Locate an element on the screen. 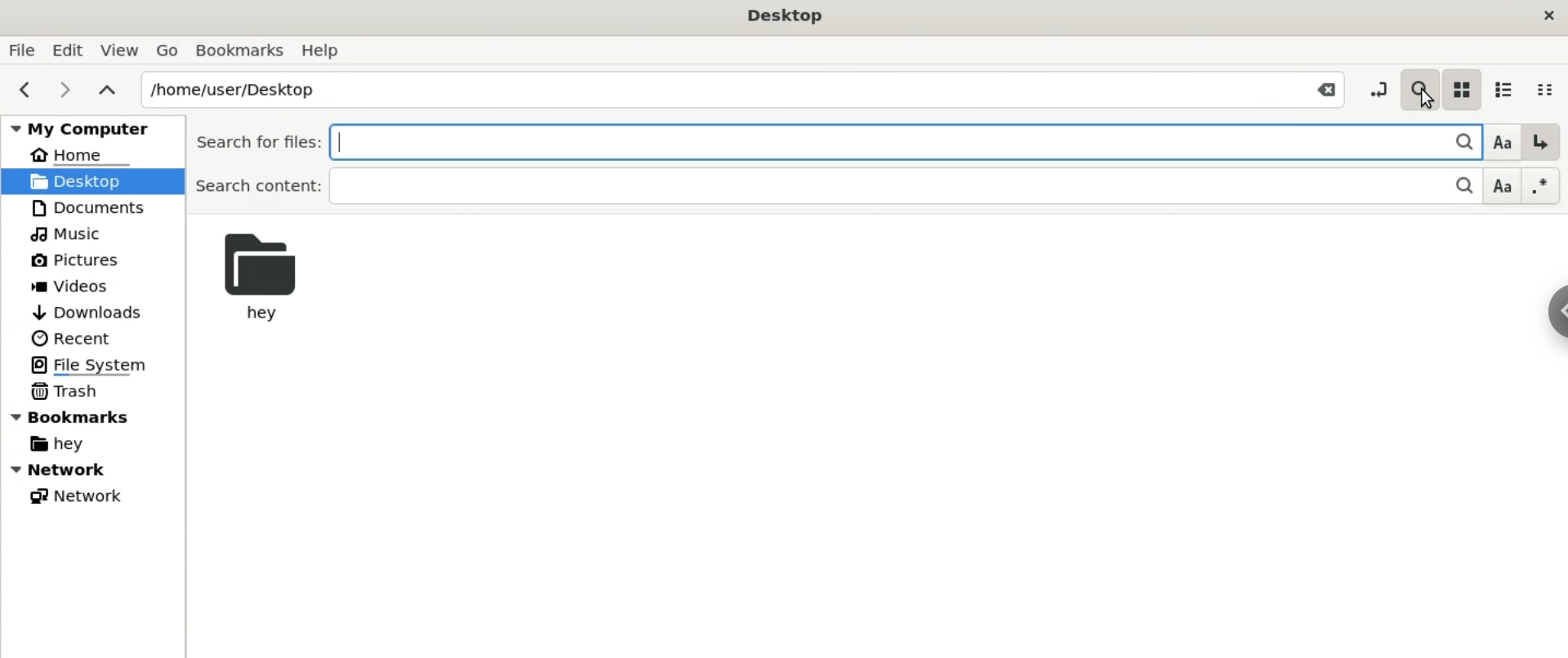 Image resolution: width=1568 pixels, height=658 pixels. File is located at coordinates (21, 49).